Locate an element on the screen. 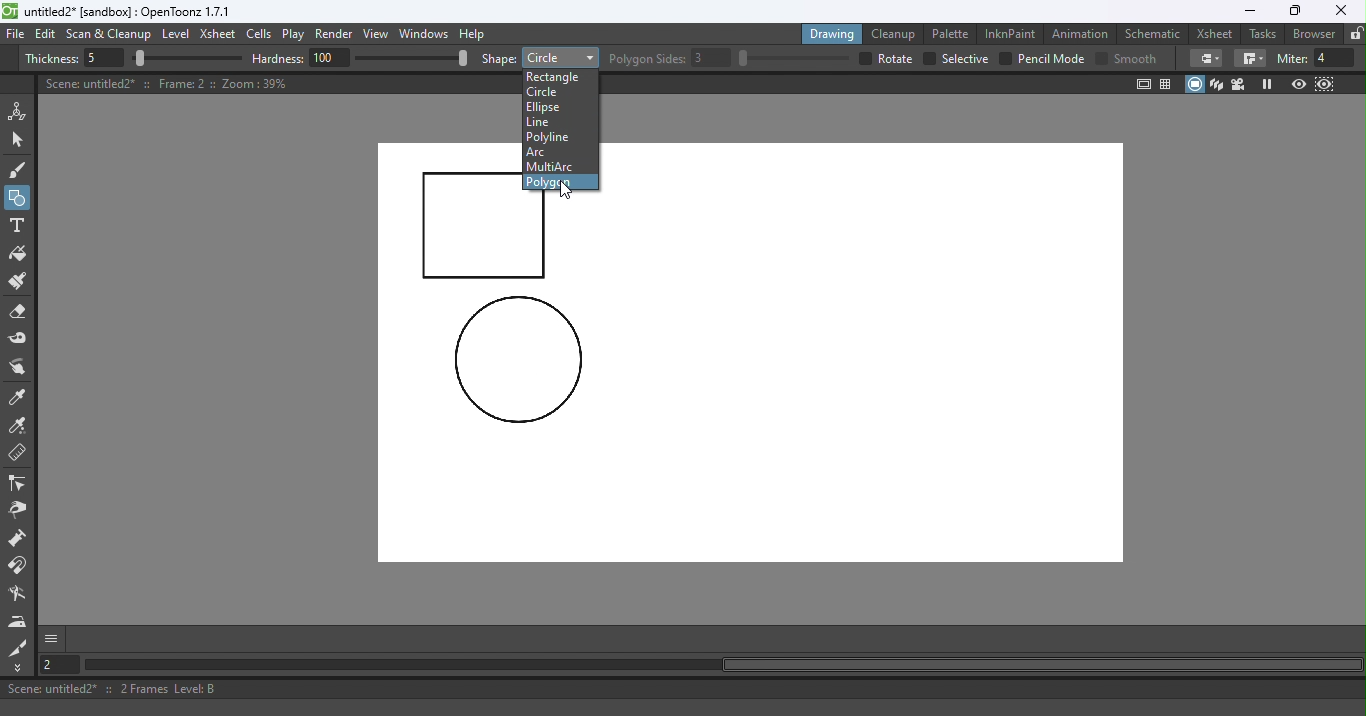 The image size is (1366, 716). shape is located at coordinates (499, 60).